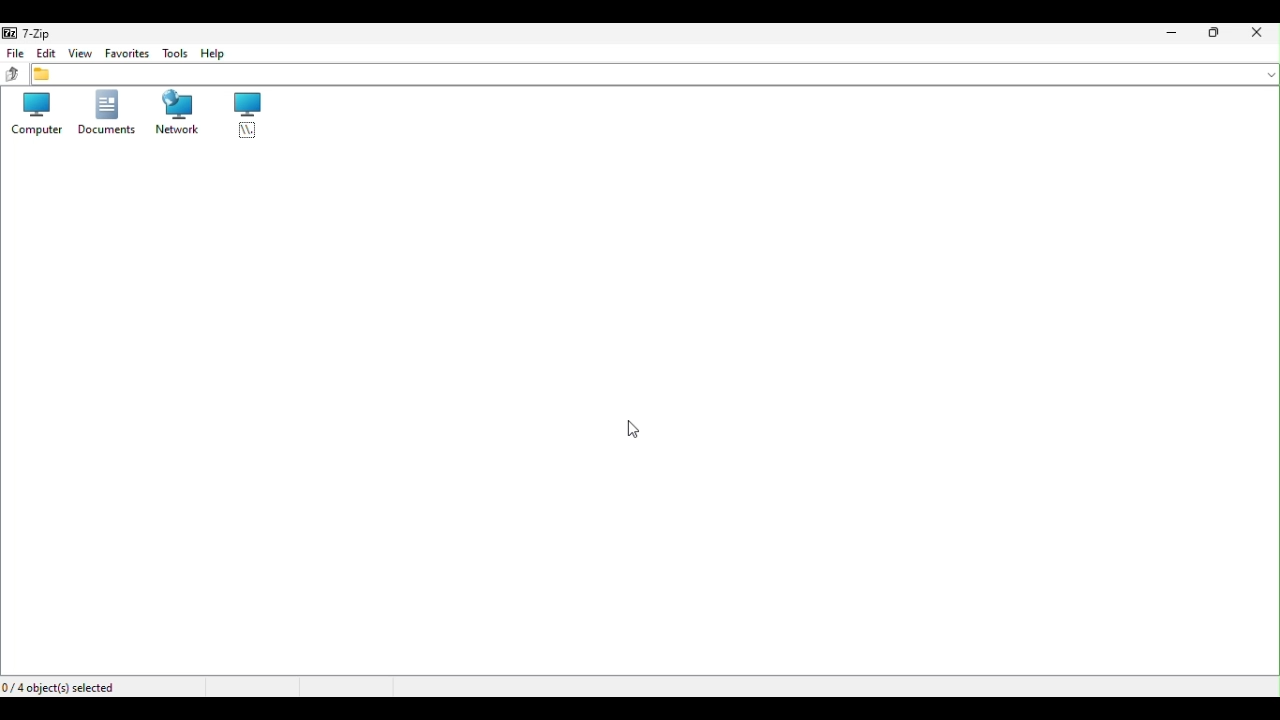  What do you see at coordinates (12, 74) in the screenshot?
I see `up` at bounding box center [12, 74].